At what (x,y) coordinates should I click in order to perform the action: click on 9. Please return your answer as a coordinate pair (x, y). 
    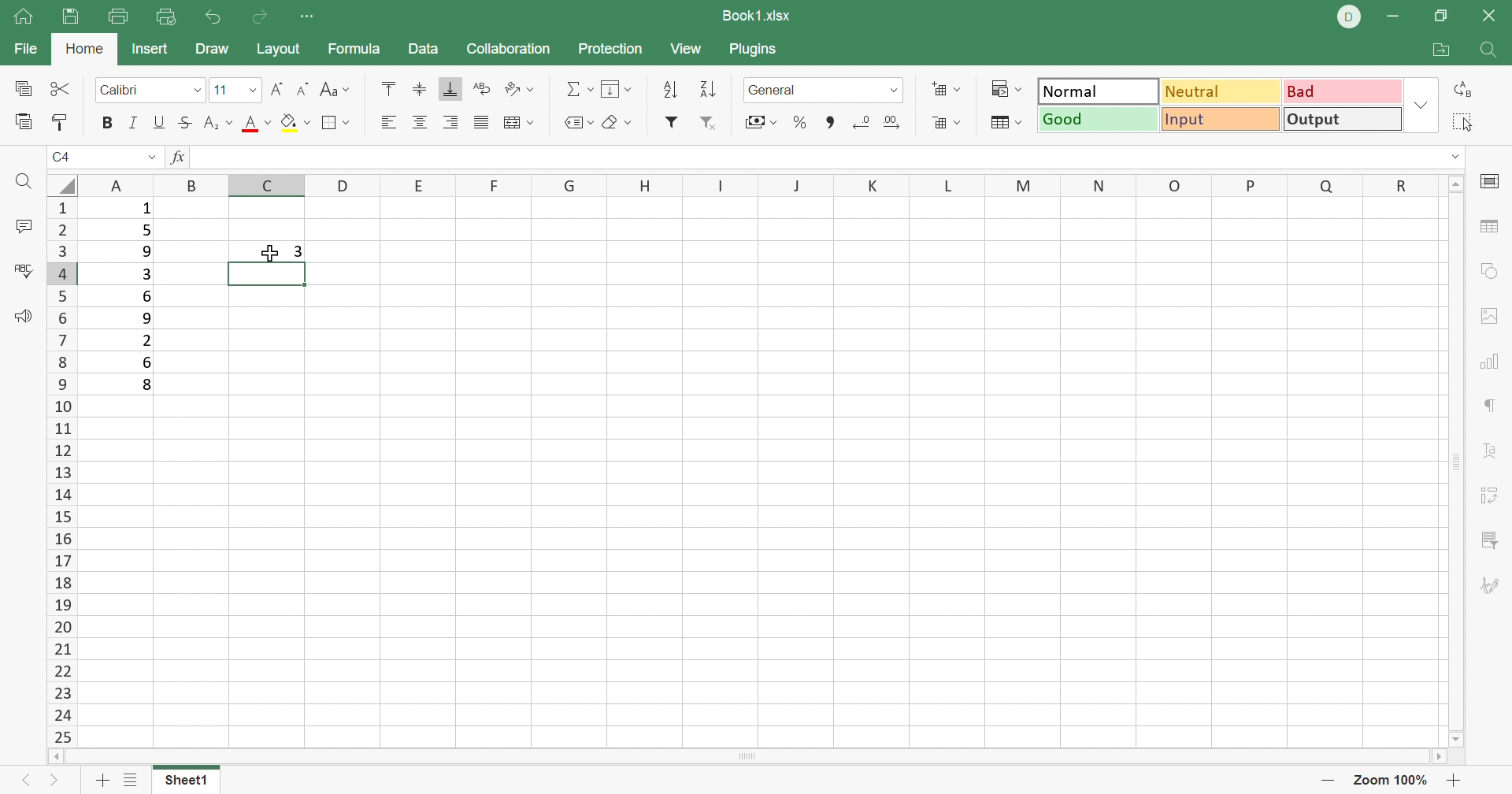
    Looking at the image, I should click on (146, 250).